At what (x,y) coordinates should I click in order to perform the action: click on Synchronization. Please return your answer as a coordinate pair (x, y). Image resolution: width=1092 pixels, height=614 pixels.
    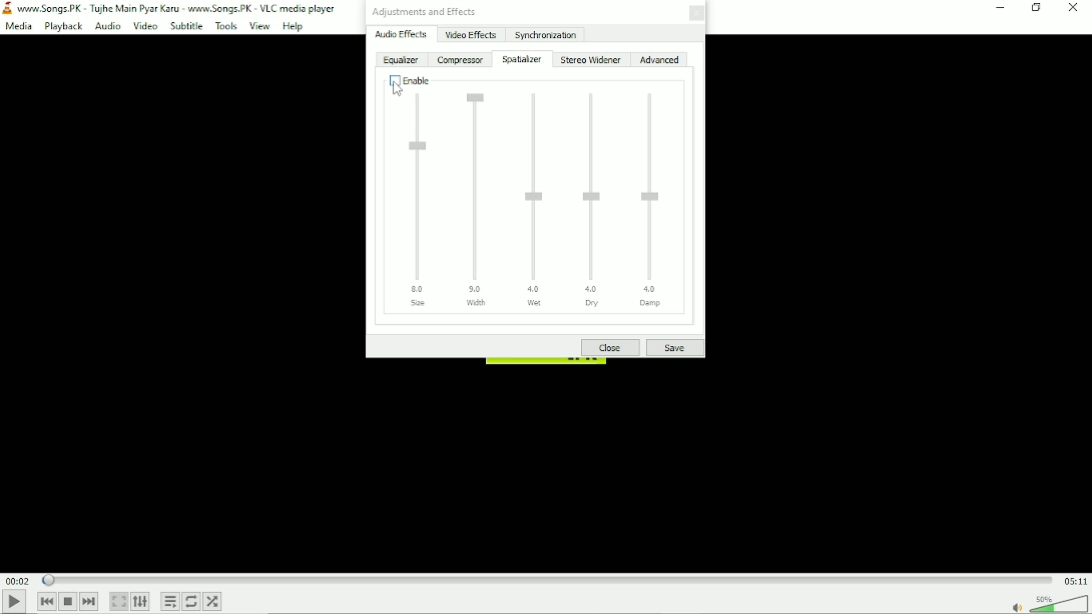
    Looking at the image, I should click on (545, 34).